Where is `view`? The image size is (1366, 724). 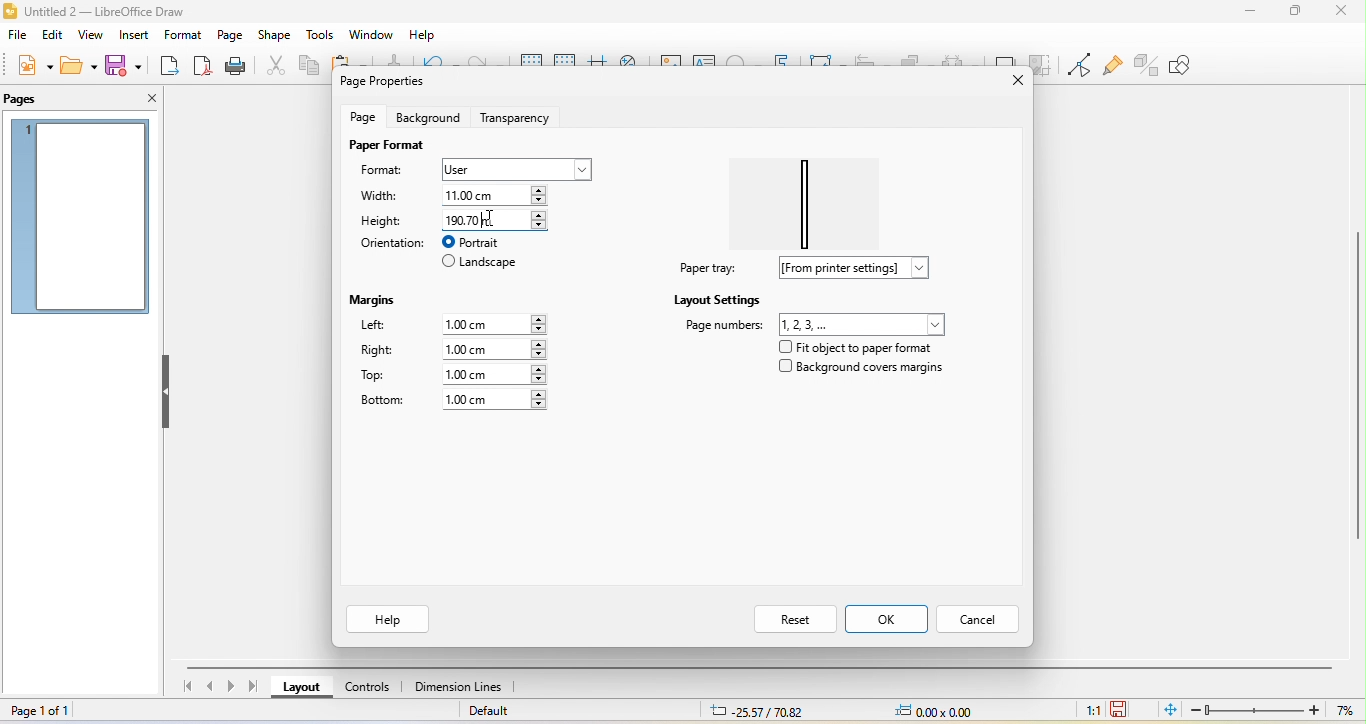
view is located at coordinates (89, 37).